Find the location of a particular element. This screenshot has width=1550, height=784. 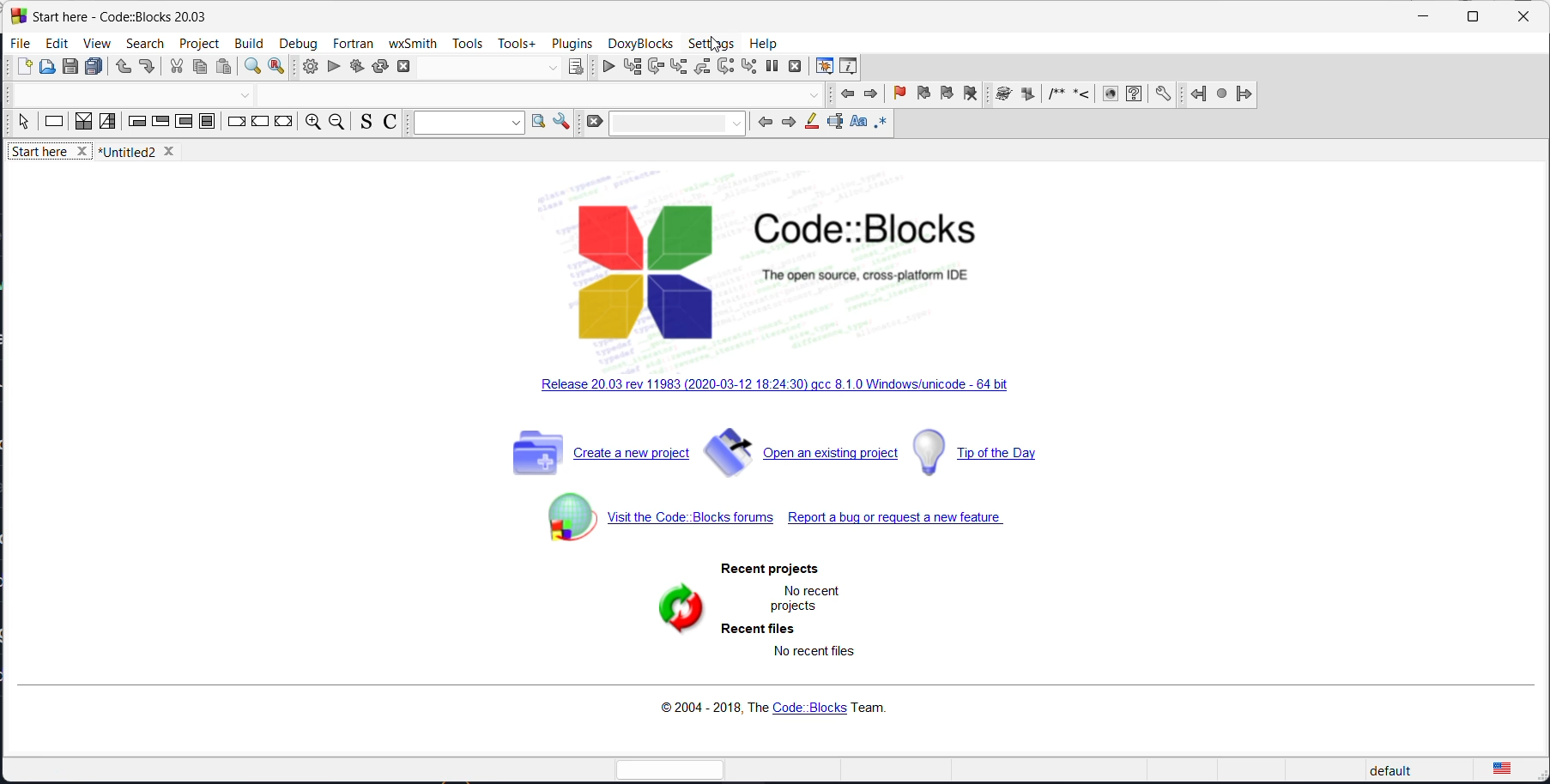

tools is located at coordinates (468, 45).